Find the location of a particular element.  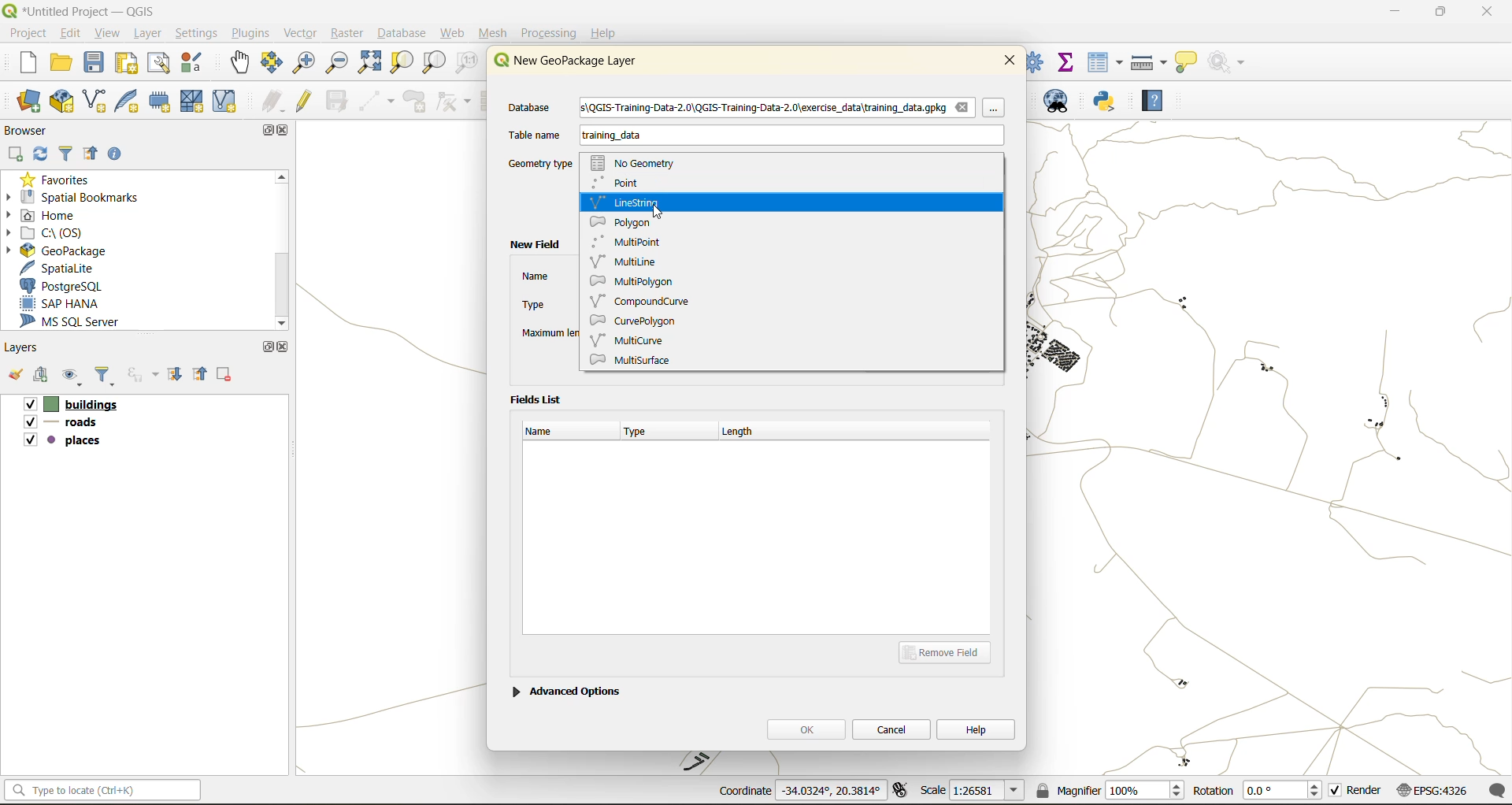

edit is located at coordinates (72, 32).